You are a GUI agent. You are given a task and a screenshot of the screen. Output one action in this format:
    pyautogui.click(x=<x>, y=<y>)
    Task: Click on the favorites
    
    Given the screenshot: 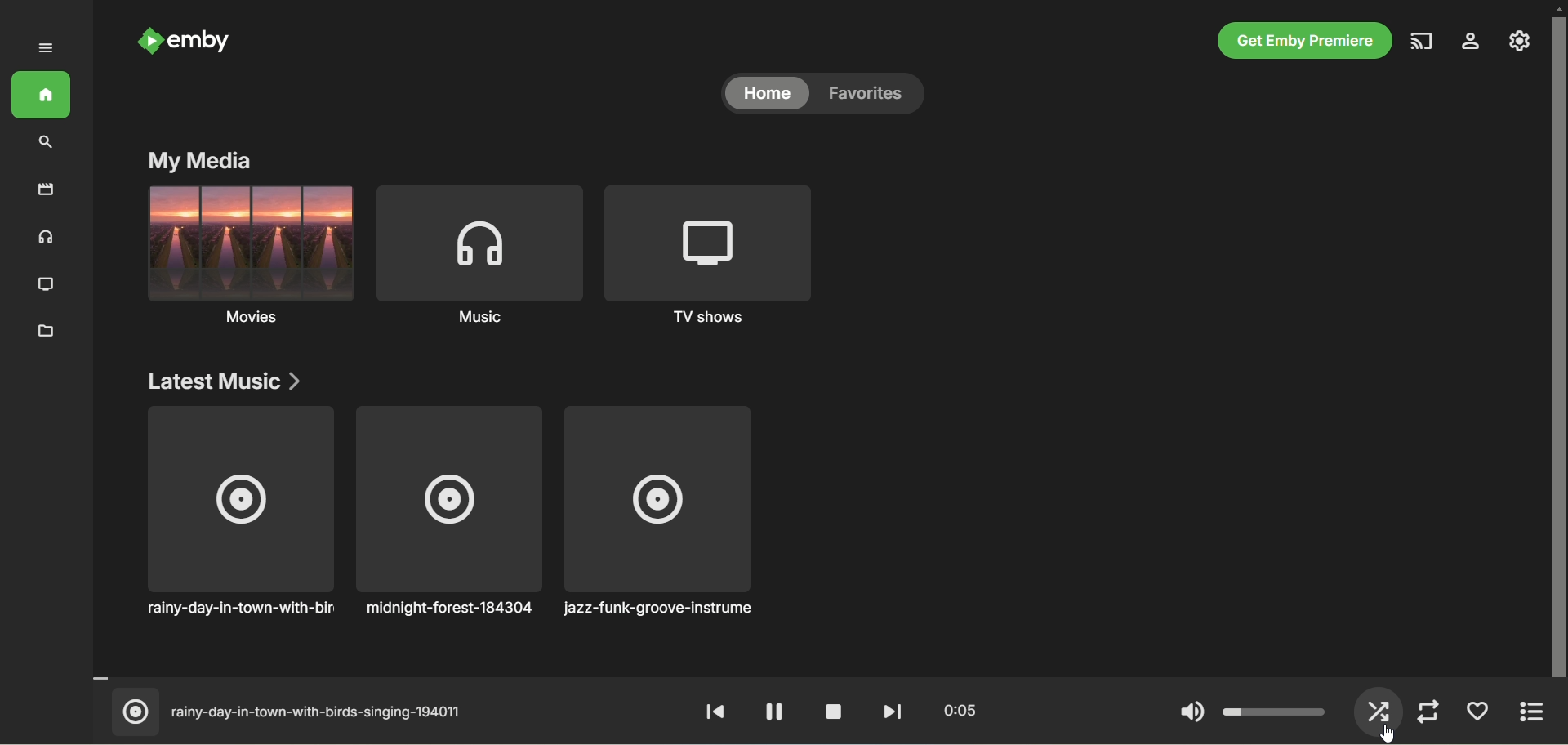 What is the action you would take?
    pyautogui.click(x=1473, y=708)
    